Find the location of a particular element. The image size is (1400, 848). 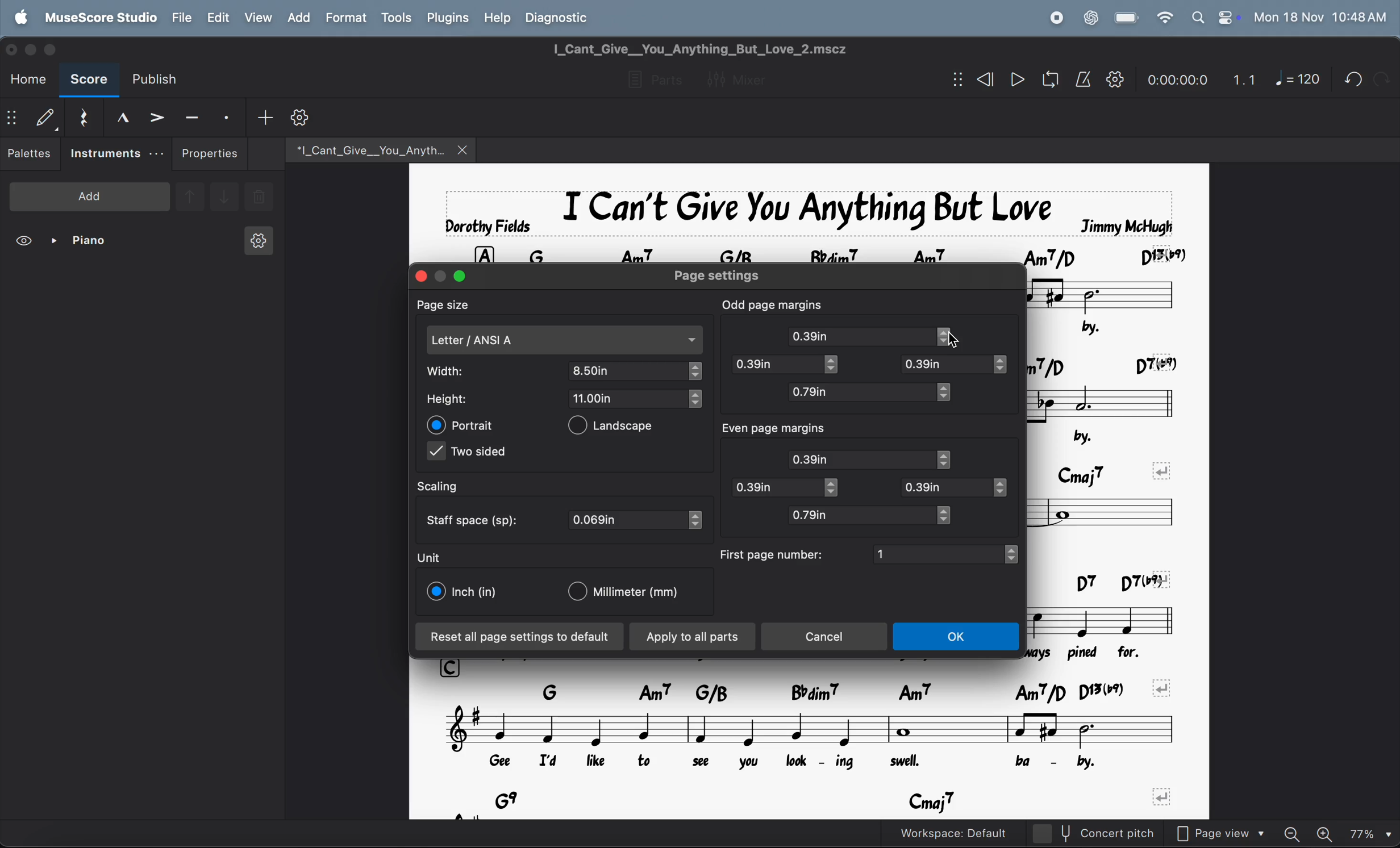

publish is located at coordinates (160, 80).